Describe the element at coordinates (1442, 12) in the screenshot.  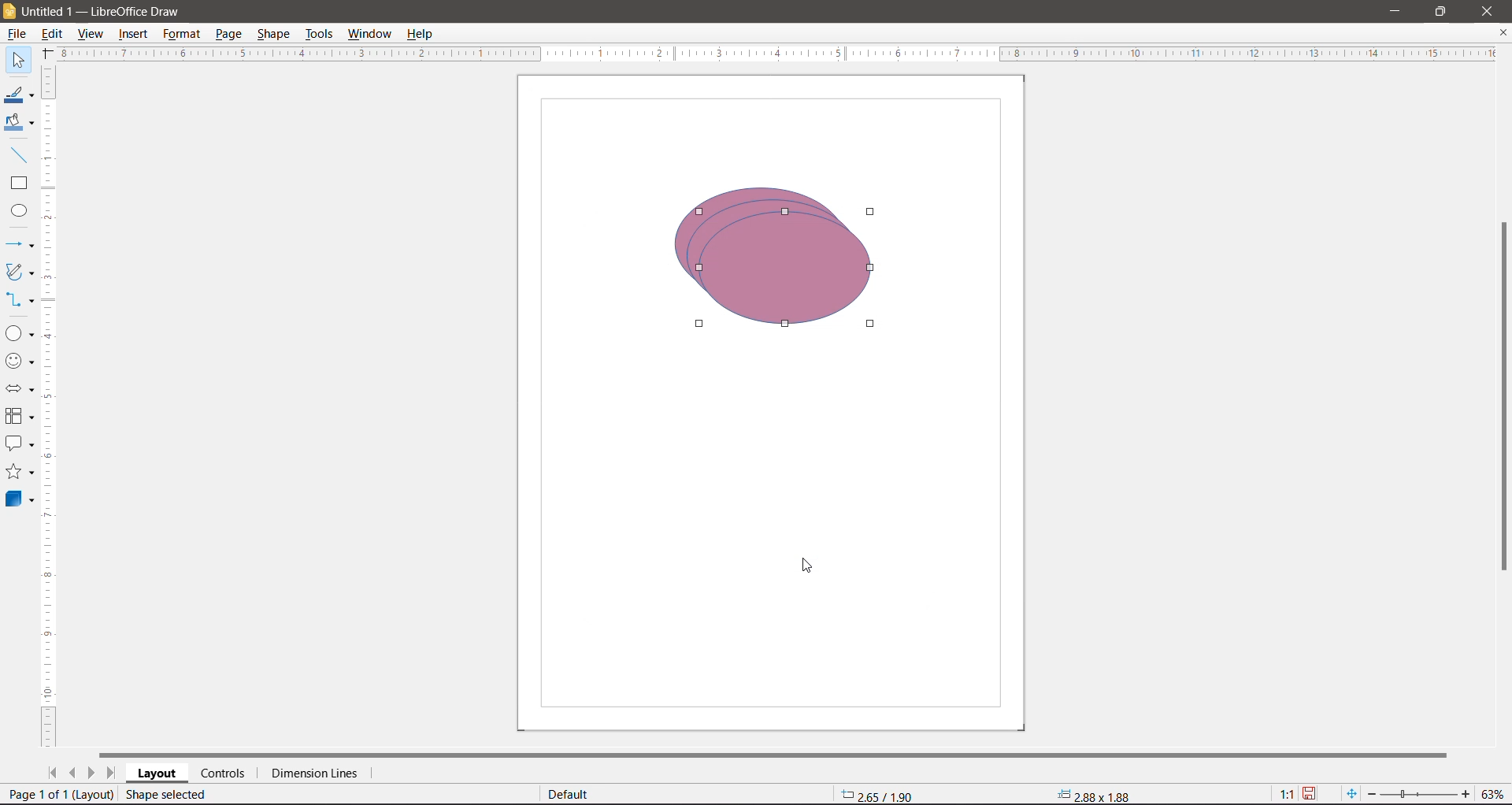
I see `Restore Down` at that location.